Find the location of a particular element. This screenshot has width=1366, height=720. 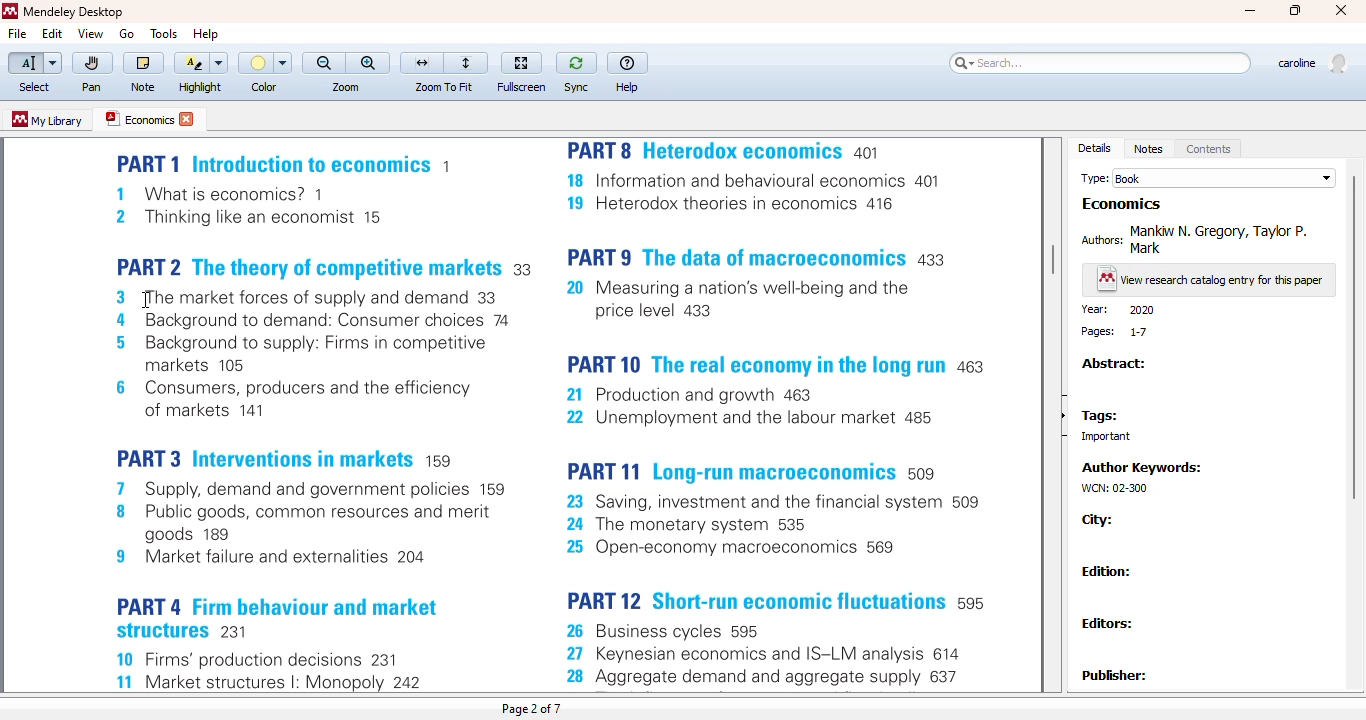

File is located at coordinates (18, 34).